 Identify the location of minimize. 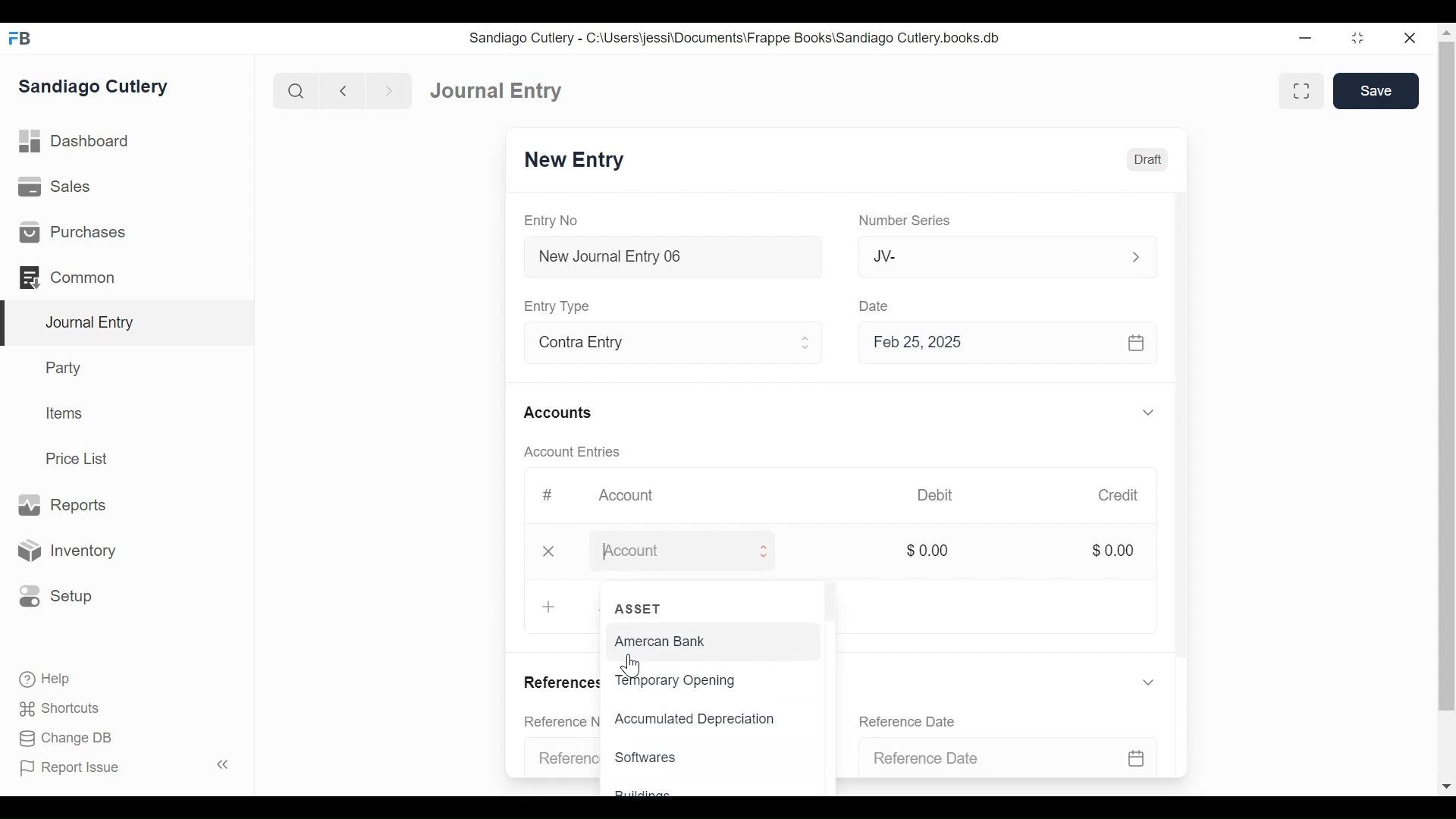
(1306, 37).